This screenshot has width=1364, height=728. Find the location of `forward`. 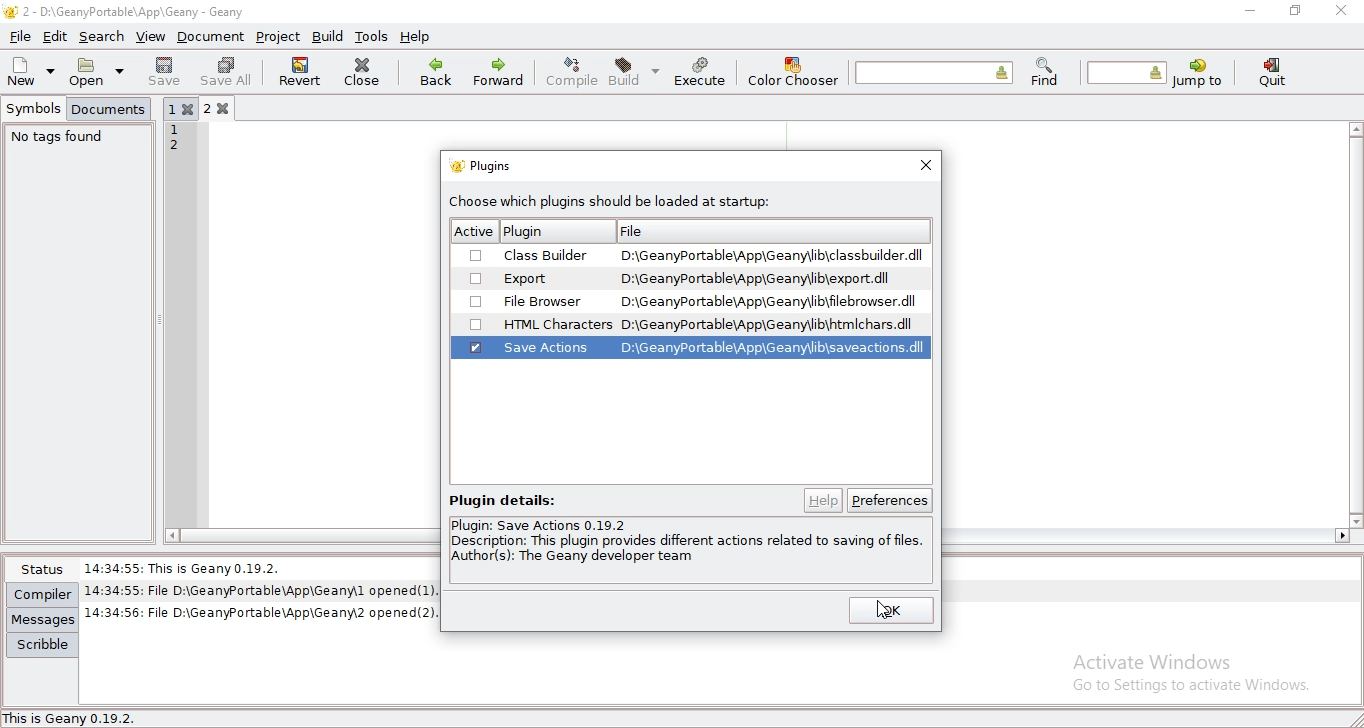

forward is located at coordinates (502, 71).